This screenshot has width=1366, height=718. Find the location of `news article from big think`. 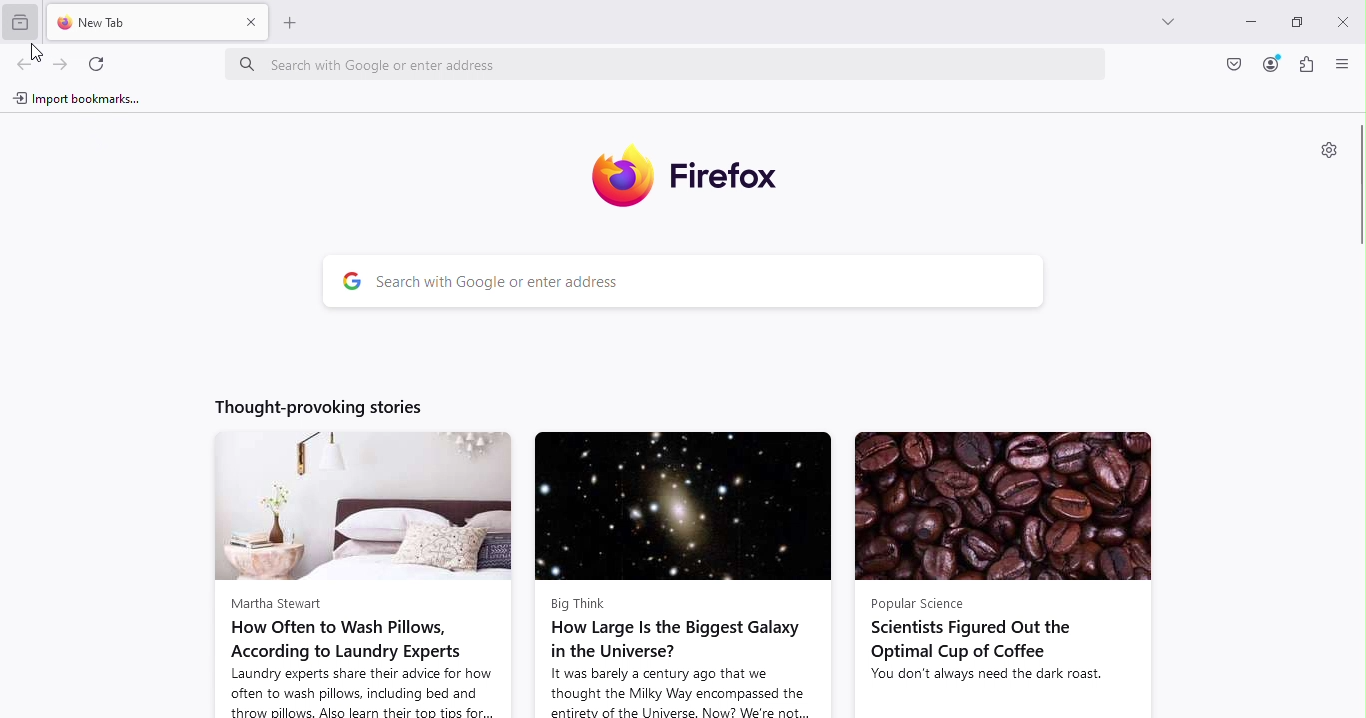

news article from big think is located at coordinates (686, 572).